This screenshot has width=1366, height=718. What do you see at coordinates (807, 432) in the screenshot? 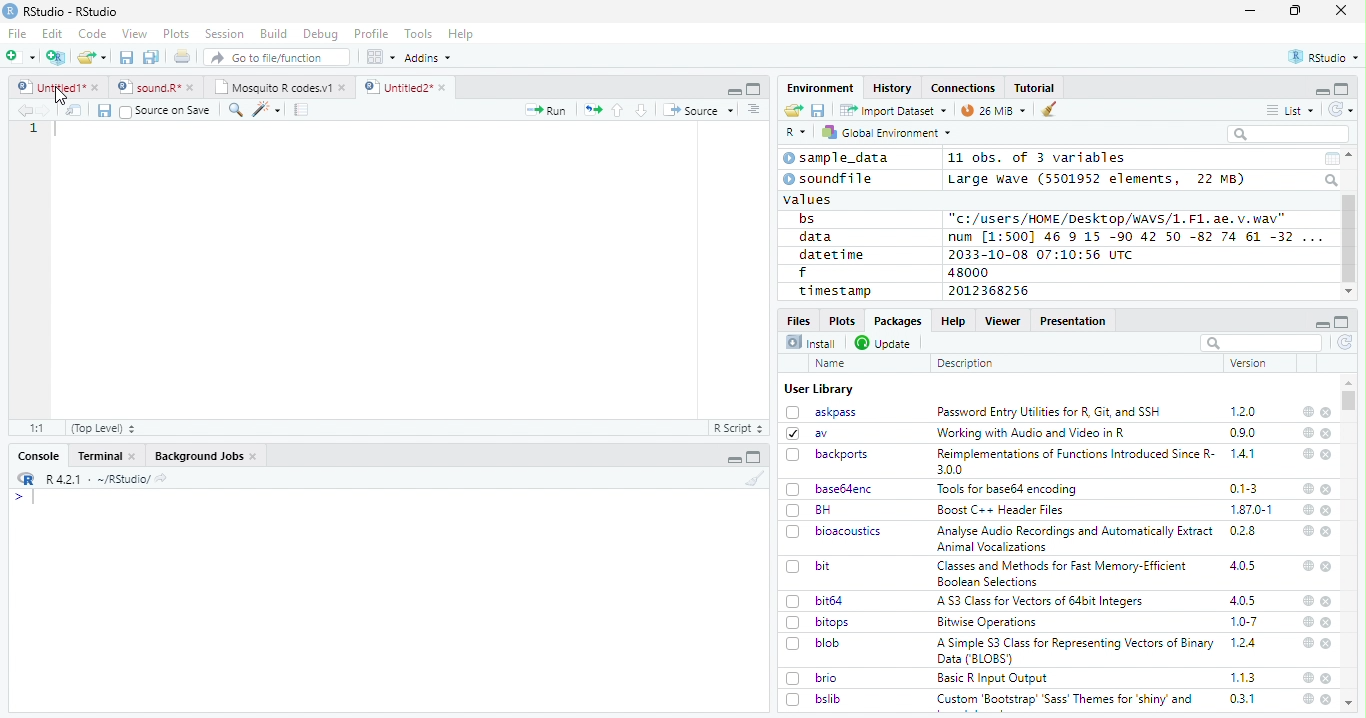
I see `av` at bounding box center [807, 432].